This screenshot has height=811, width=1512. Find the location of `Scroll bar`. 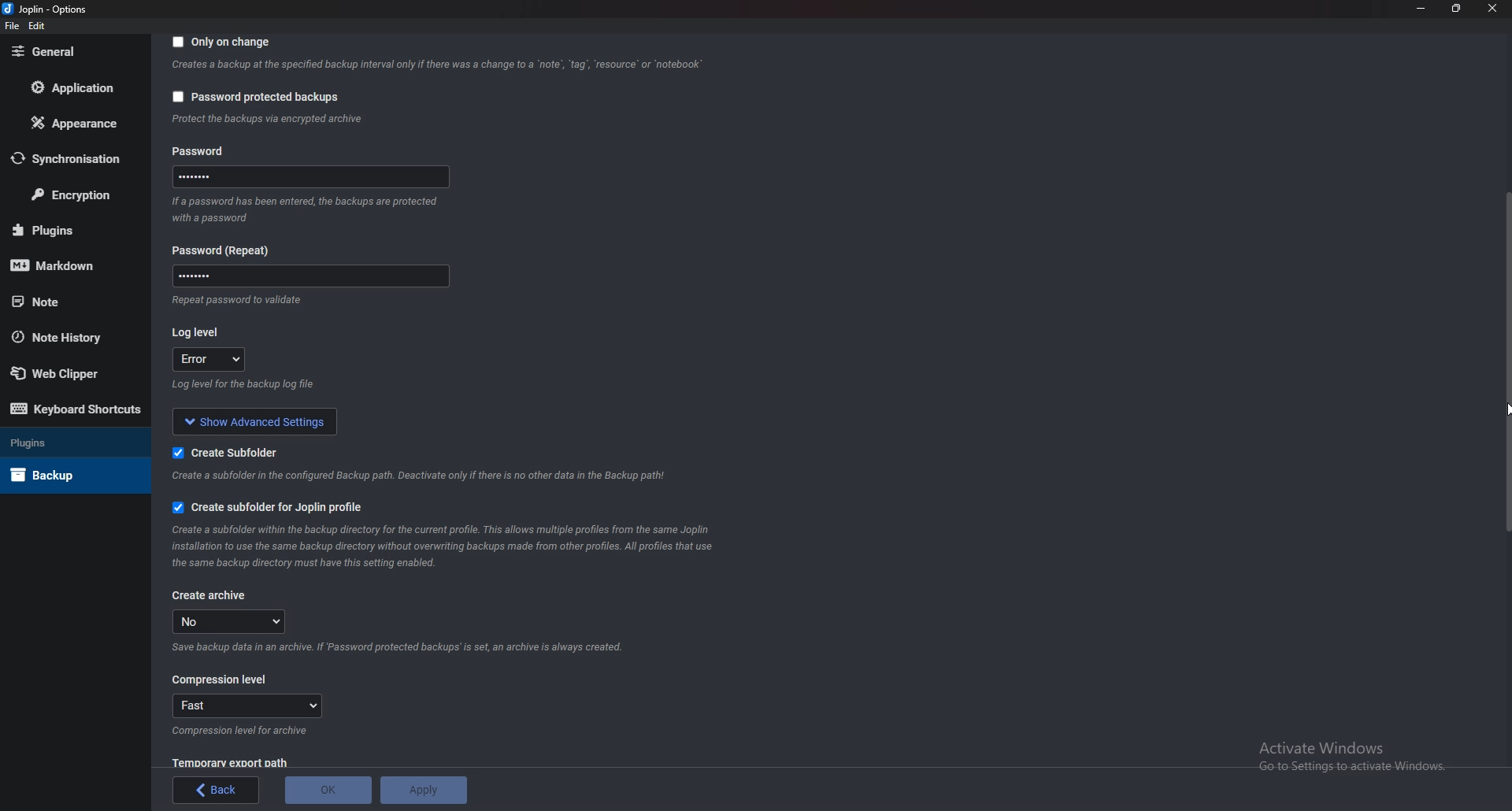

Scroll bar is located at coordinates (1507, 361).